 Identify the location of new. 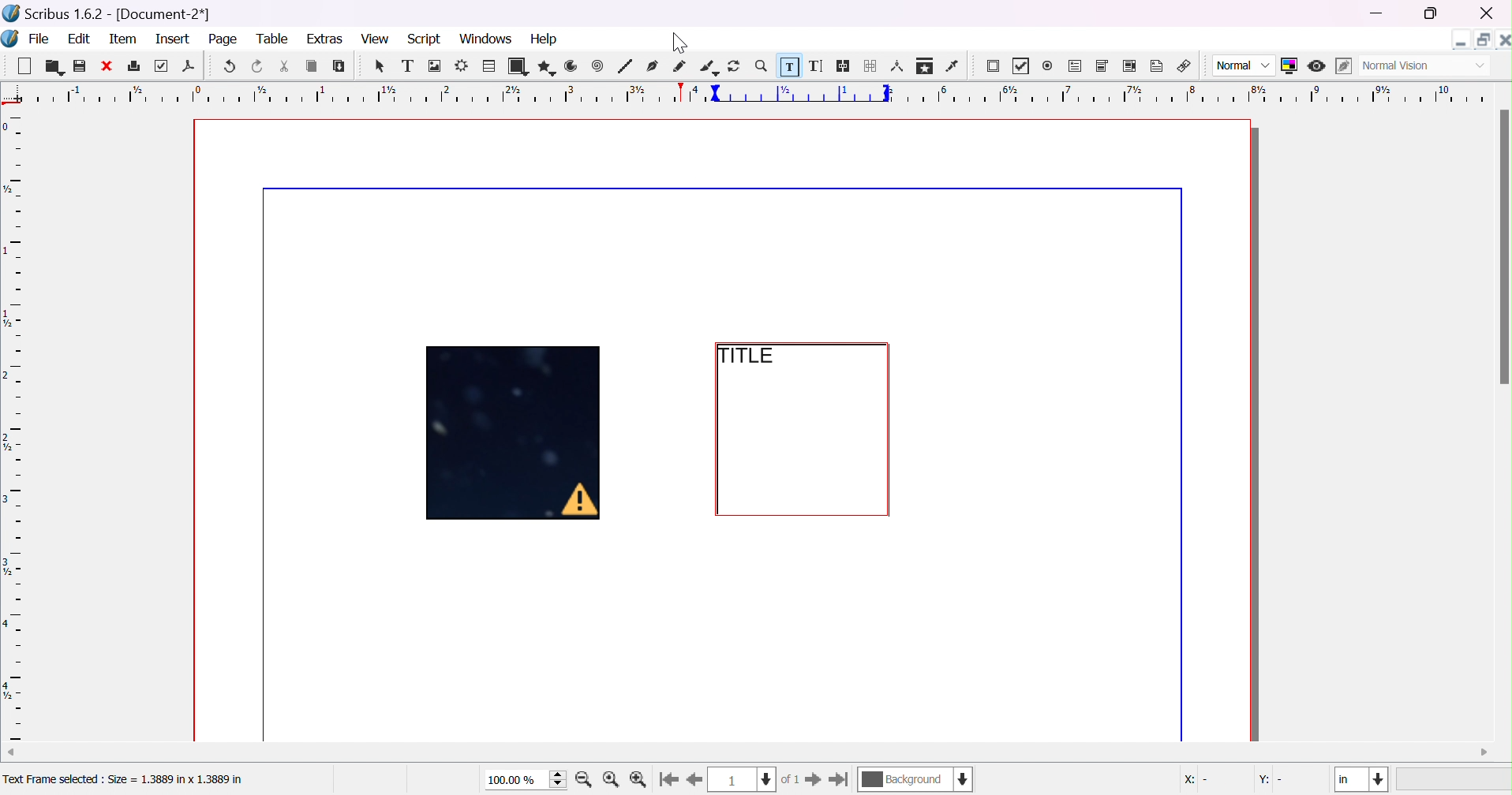
(22, 64).